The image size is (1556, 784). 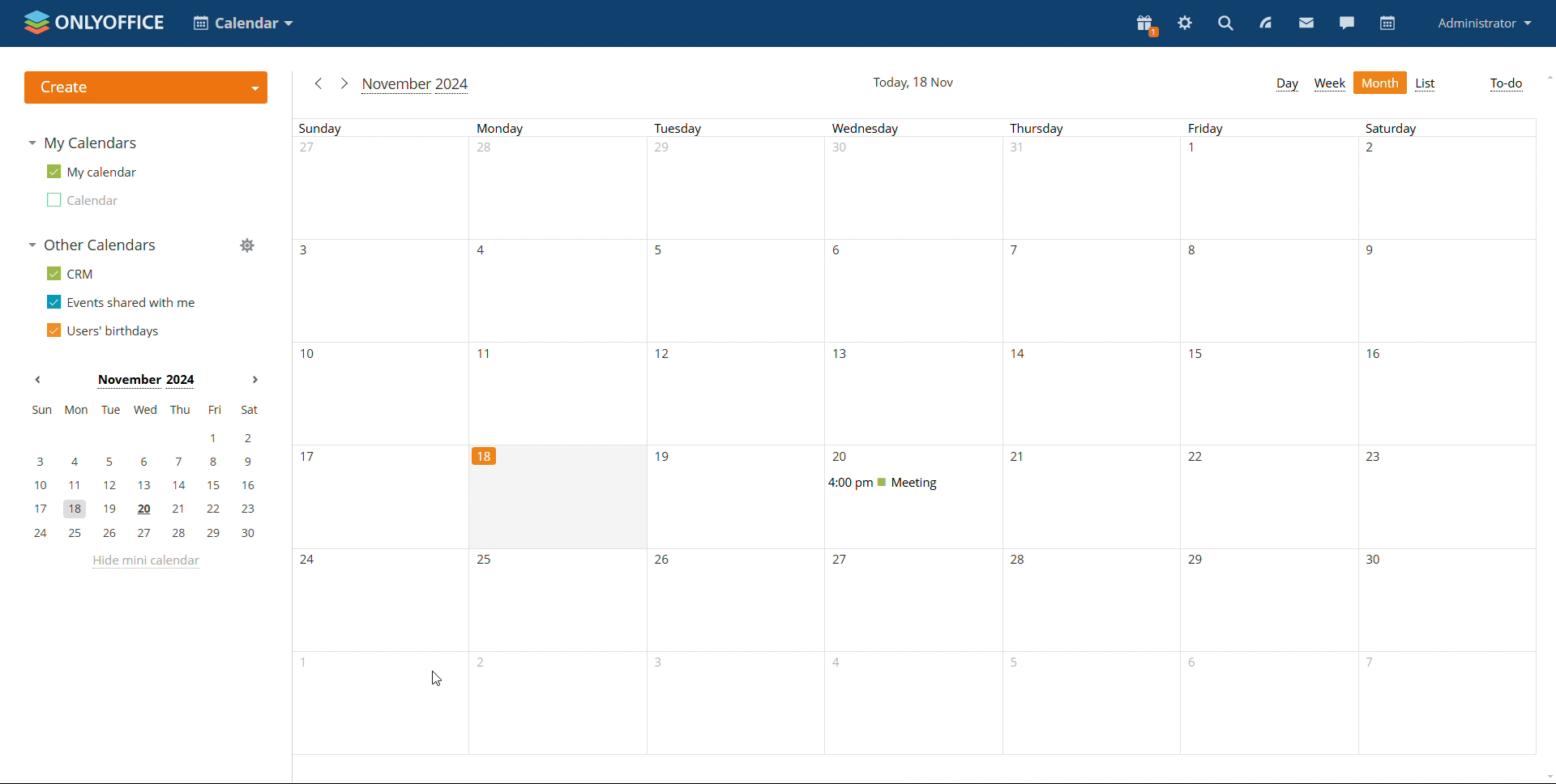 What do you see at coordinates (1546, 777) in the screenshot?
I see `scroll down` at bounding box center [1546, 777].